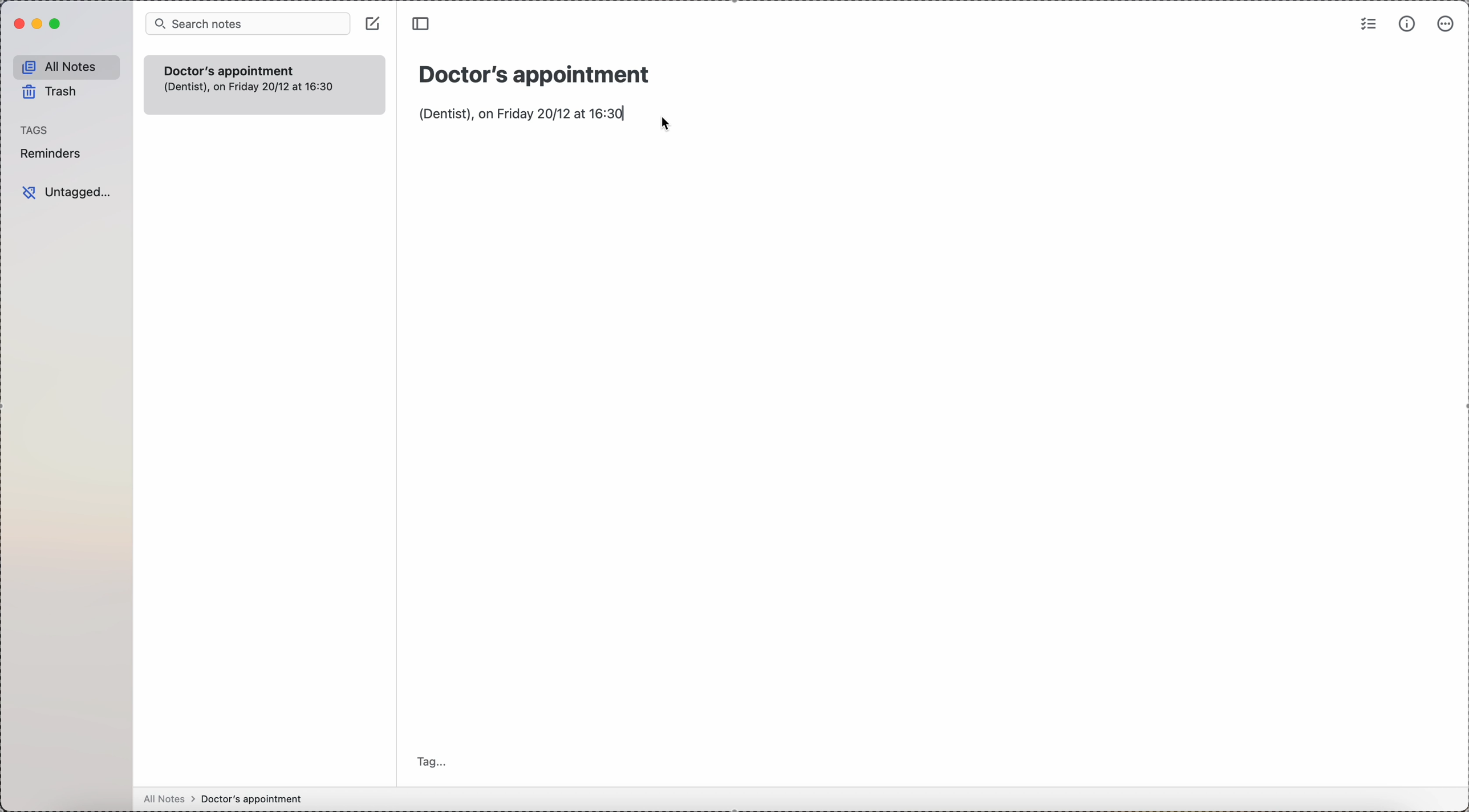 The image size is (1469, 812). I want to click on all notes, so click(66, 65).